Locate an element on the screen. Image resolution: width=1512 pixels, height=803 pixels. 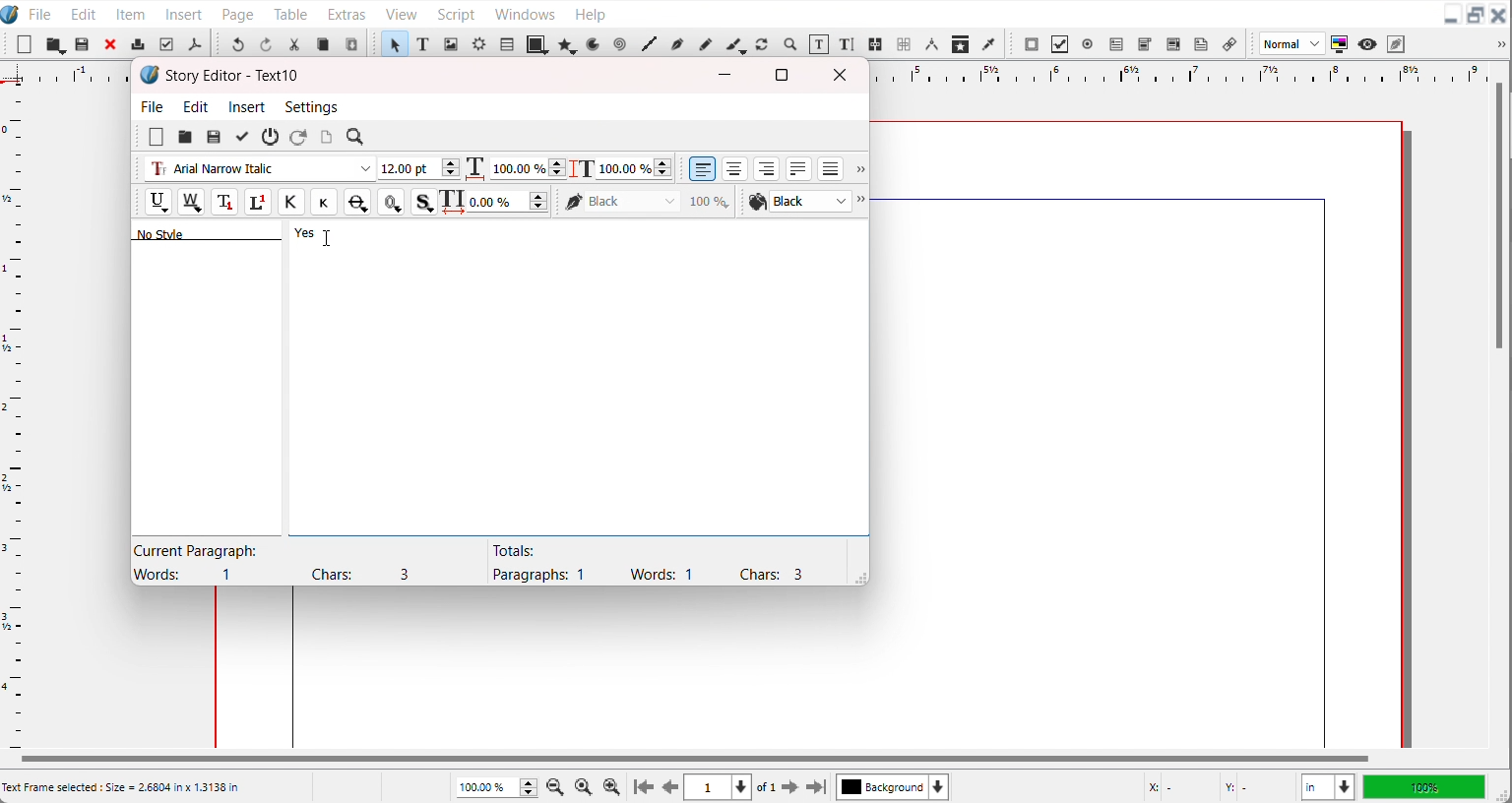
Edit is located at coordinates (197, 106).